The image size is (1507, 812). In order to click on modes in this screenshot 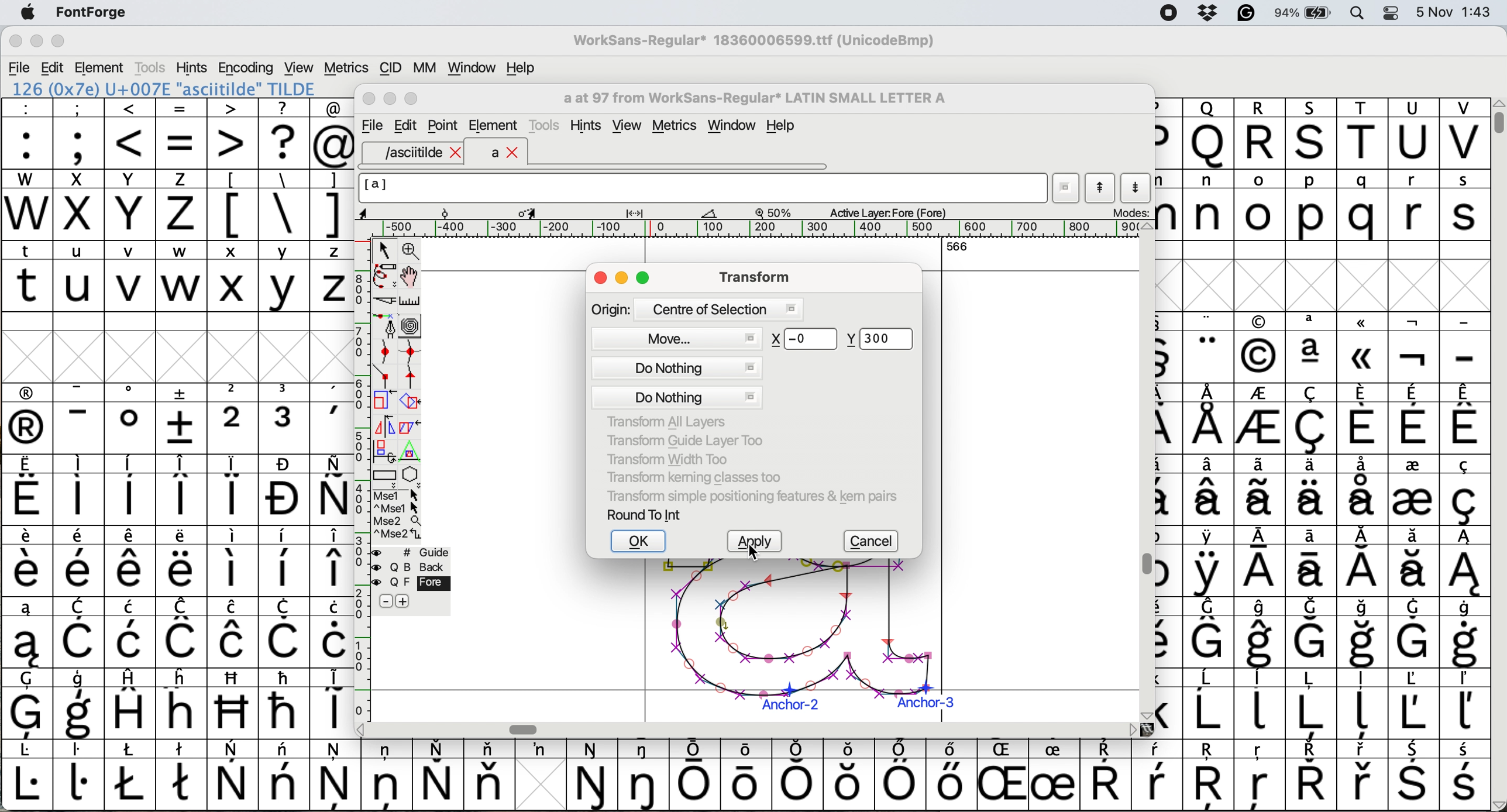, I will do `click(1130, 212)`.